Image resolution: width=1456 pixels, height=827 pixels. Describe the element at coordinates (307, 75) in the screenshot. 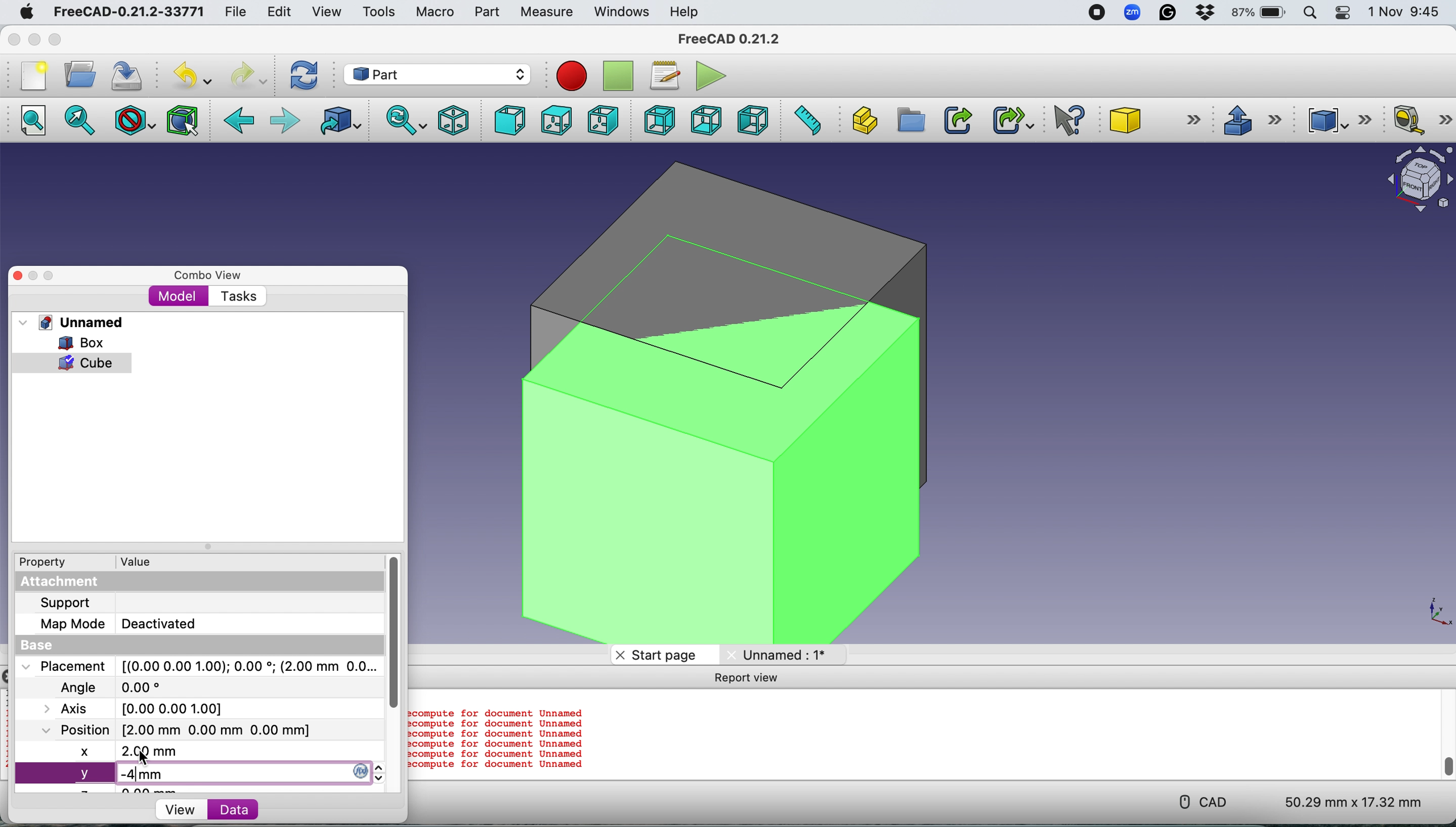

I see `Refresh` at that location.